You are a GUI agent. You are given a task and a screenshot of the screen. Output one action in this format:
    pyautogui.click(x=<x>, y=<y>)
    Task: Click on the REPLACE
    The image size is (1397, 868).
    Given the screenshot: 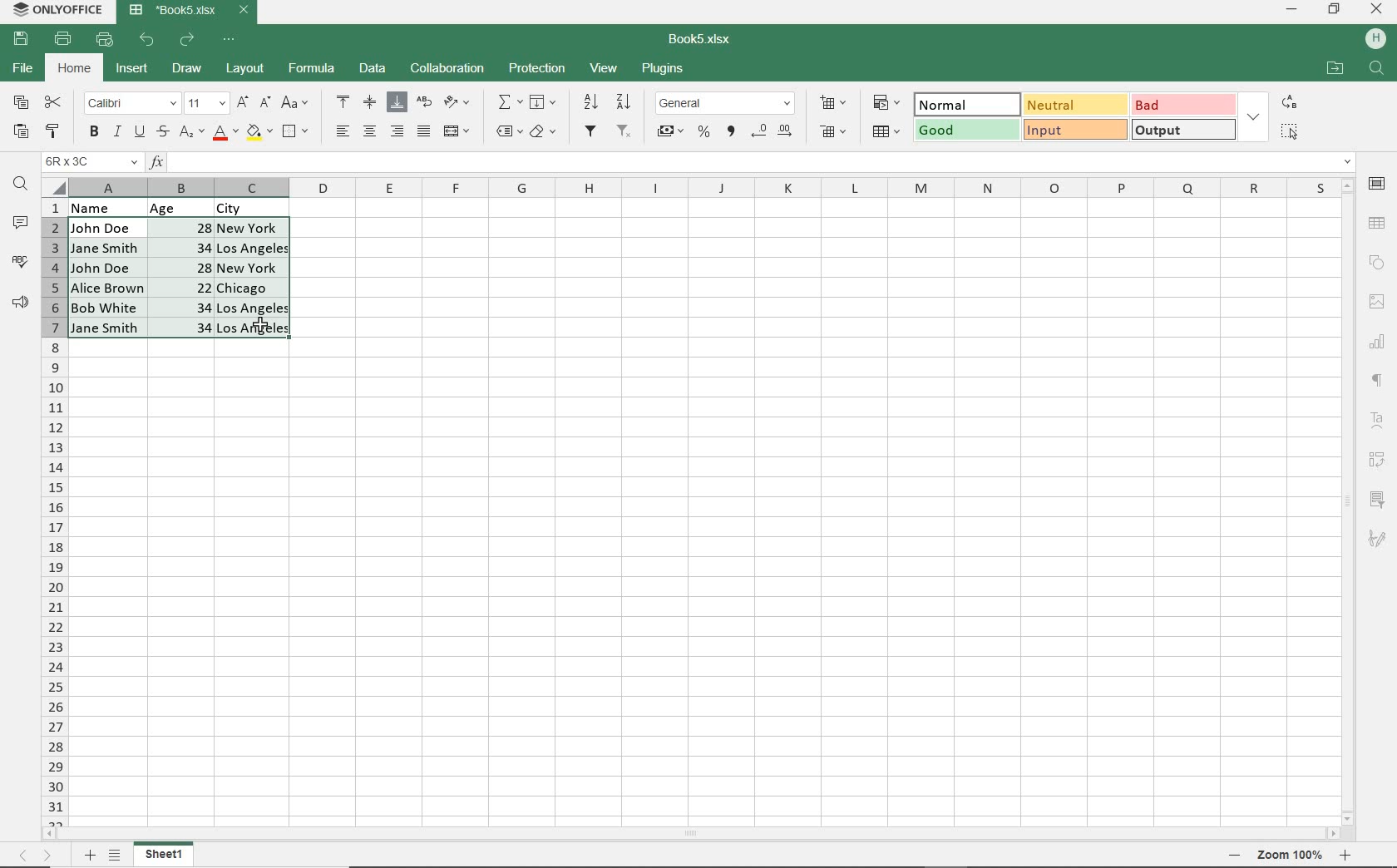 What is the action you would take?
    pyautogui.click(x=1288, y=101)
    